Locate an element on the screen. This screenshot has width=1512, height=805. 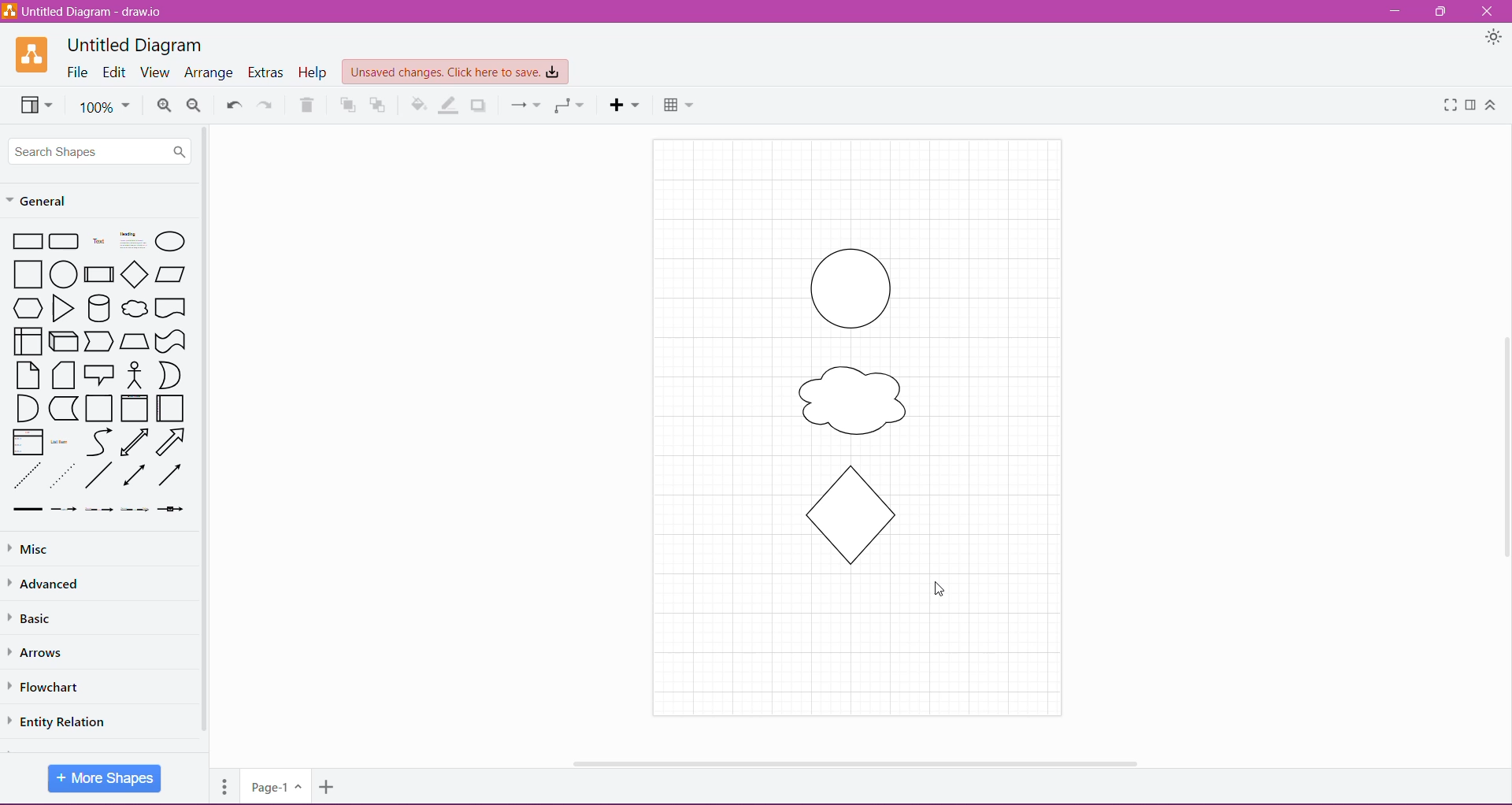
Edit is located at coordinates (115, 73).